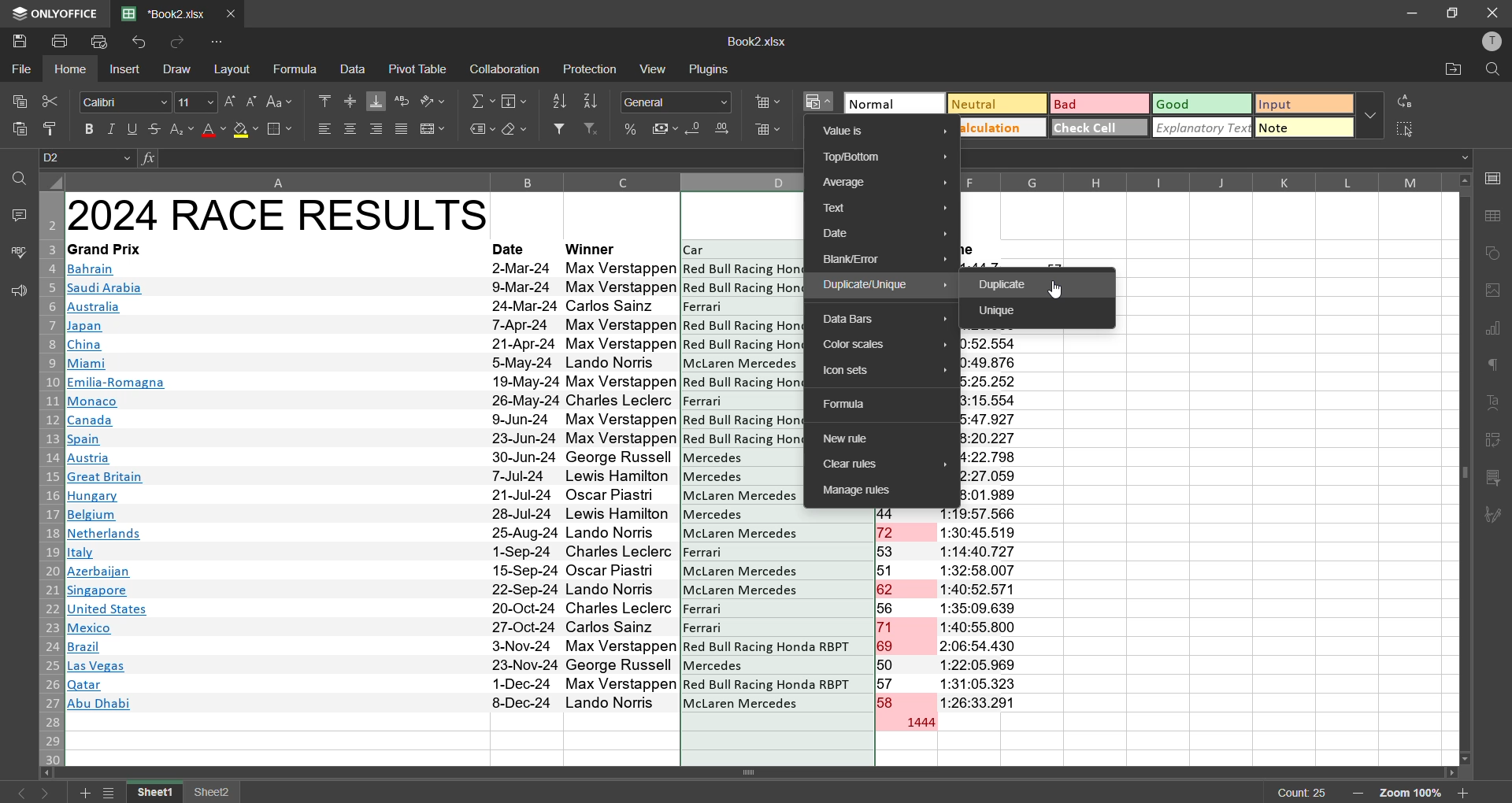 Image resolution: width=1512 pixels, height=803 pixels. What do you see at coordinates (324, 128) in the screenshot?
I see `align left` at bounding box center [324, 128].